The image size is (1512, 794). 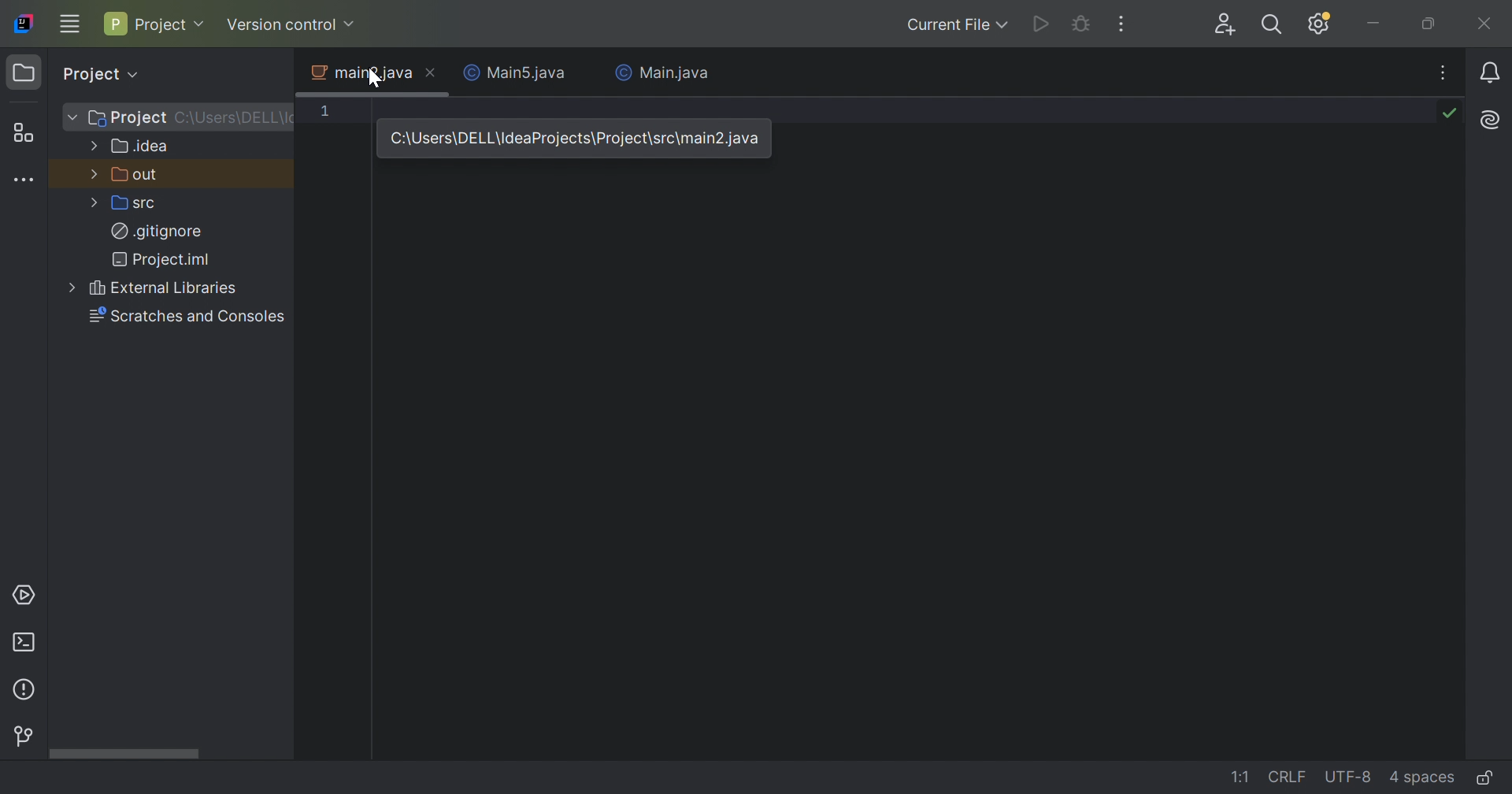 I want to click on 1, so click(x=327, y=113).